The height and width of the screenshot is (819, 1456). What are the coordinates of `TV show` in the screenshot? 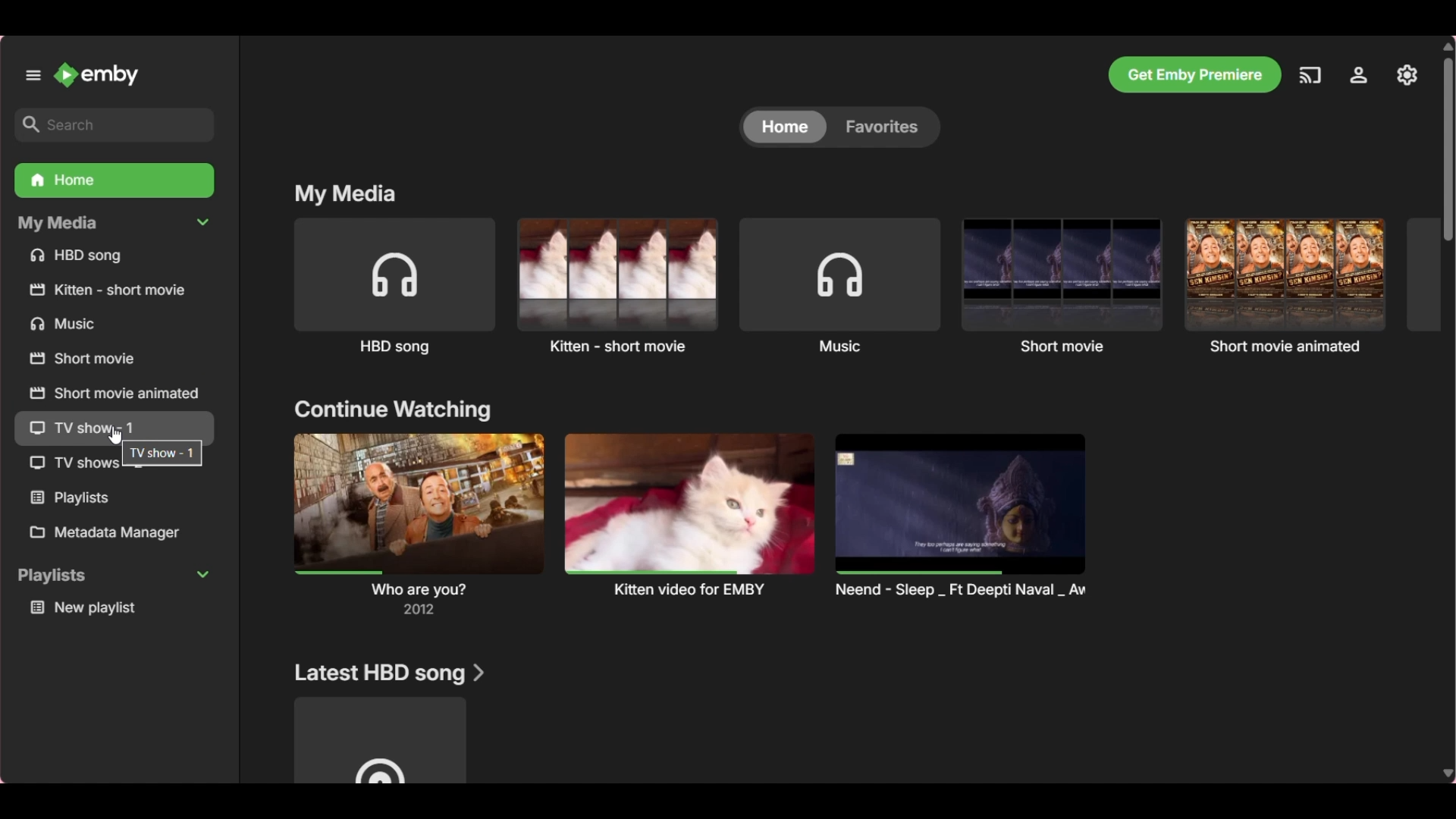 It's located at (115, 424).